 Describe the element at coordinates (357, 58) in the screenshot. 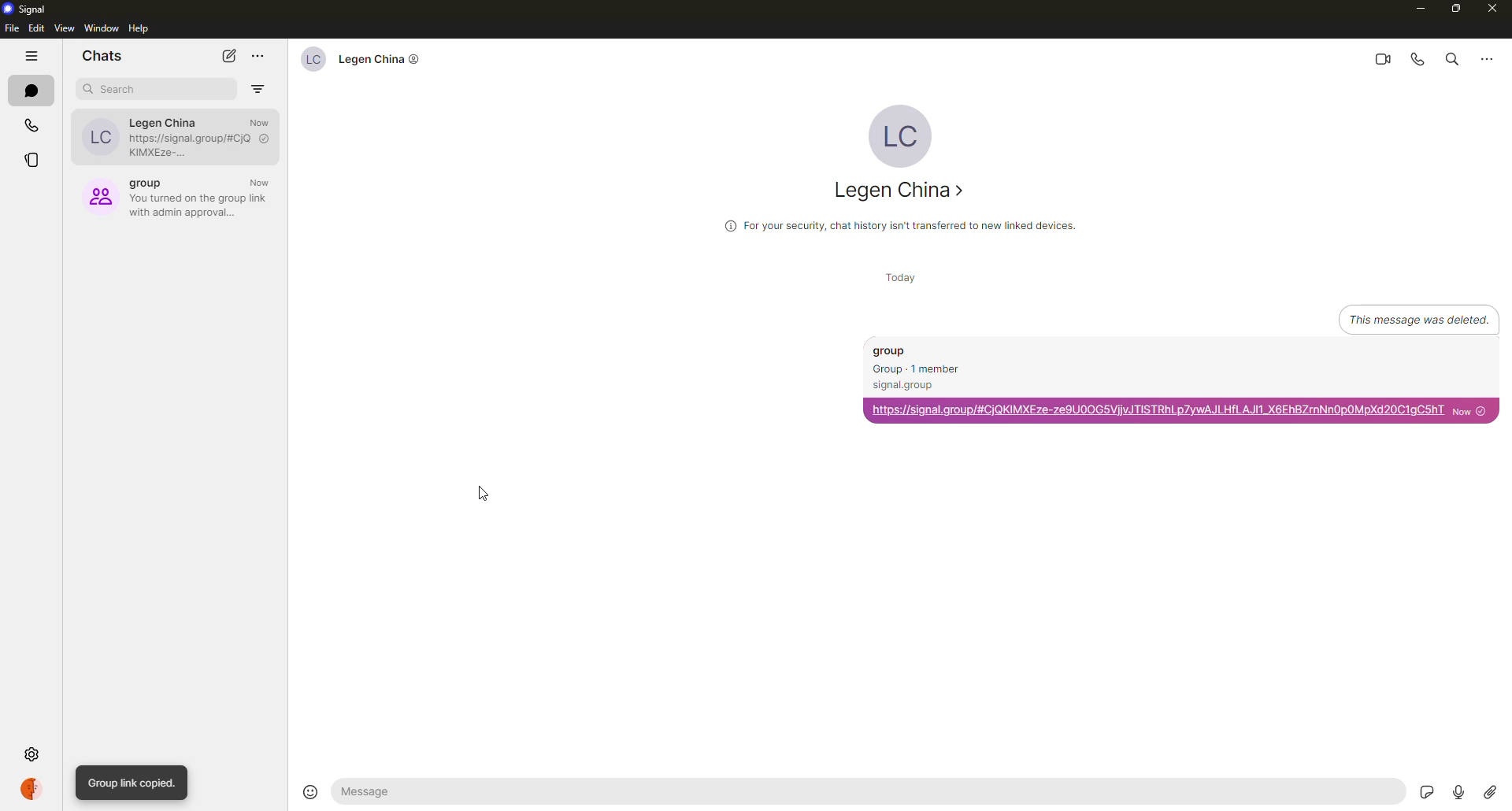

I see `contact` at that location.